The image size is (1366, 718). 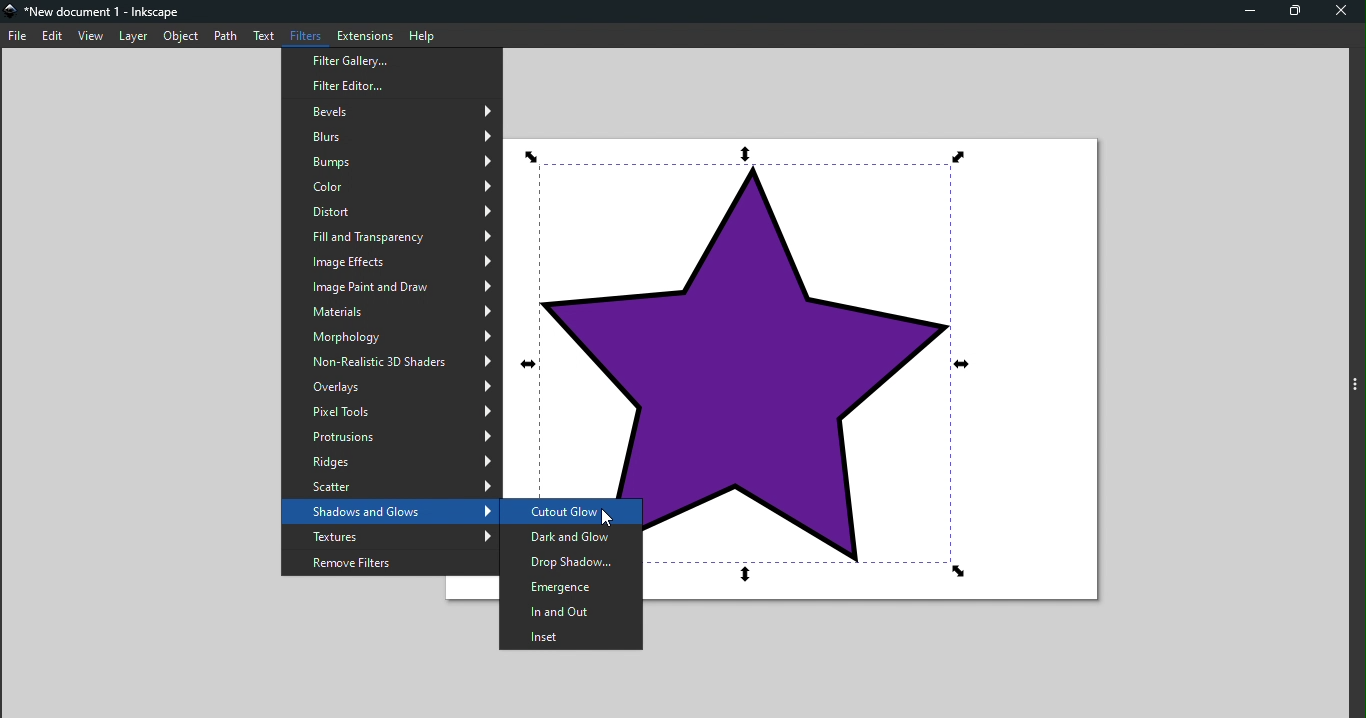 I want to click on Protrusions, so click(x=392, y=438).